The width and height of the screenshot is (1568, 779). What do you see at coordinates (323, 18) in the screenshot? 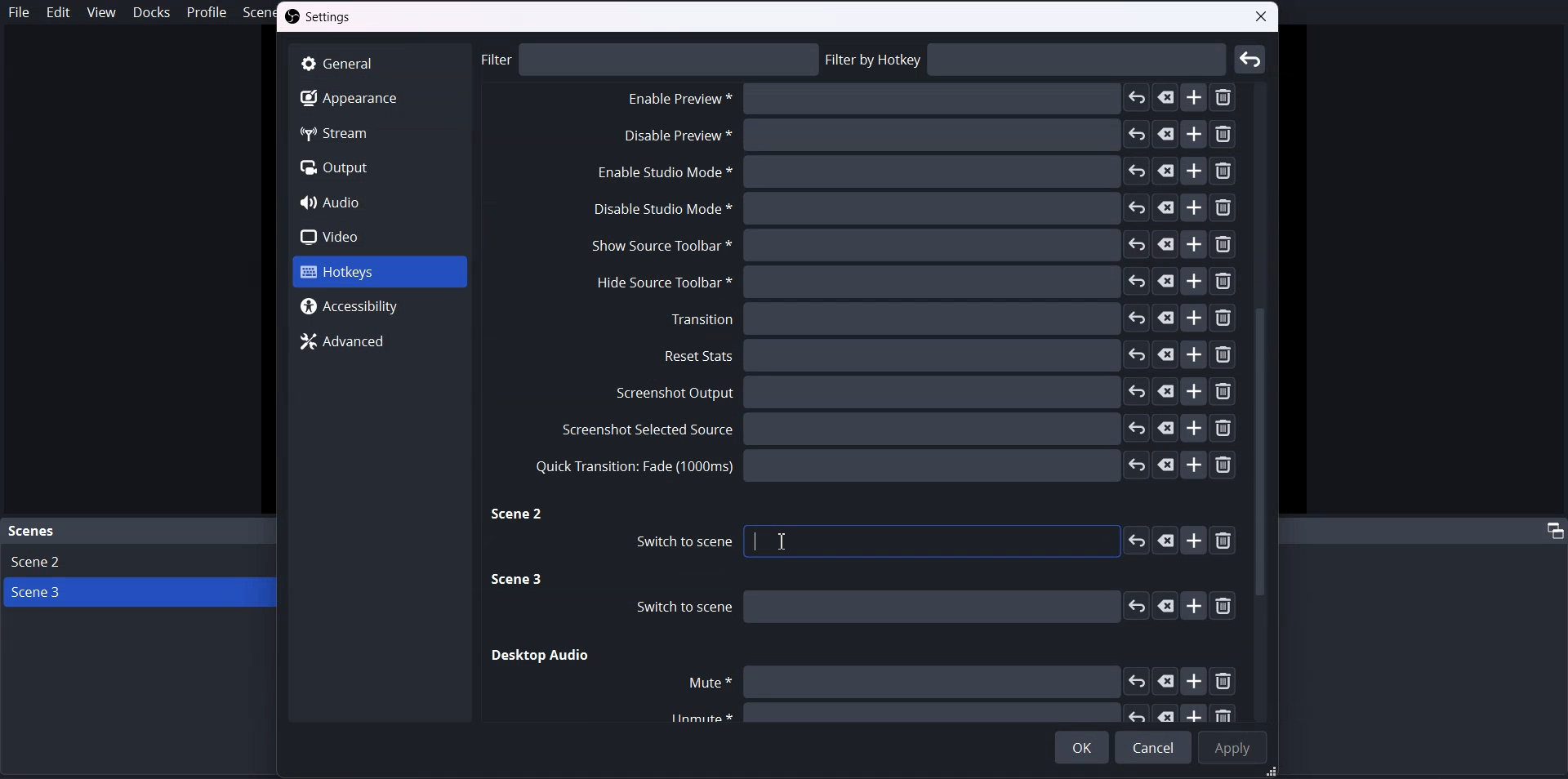
I see `Settings` at bounding box center [323, 18].